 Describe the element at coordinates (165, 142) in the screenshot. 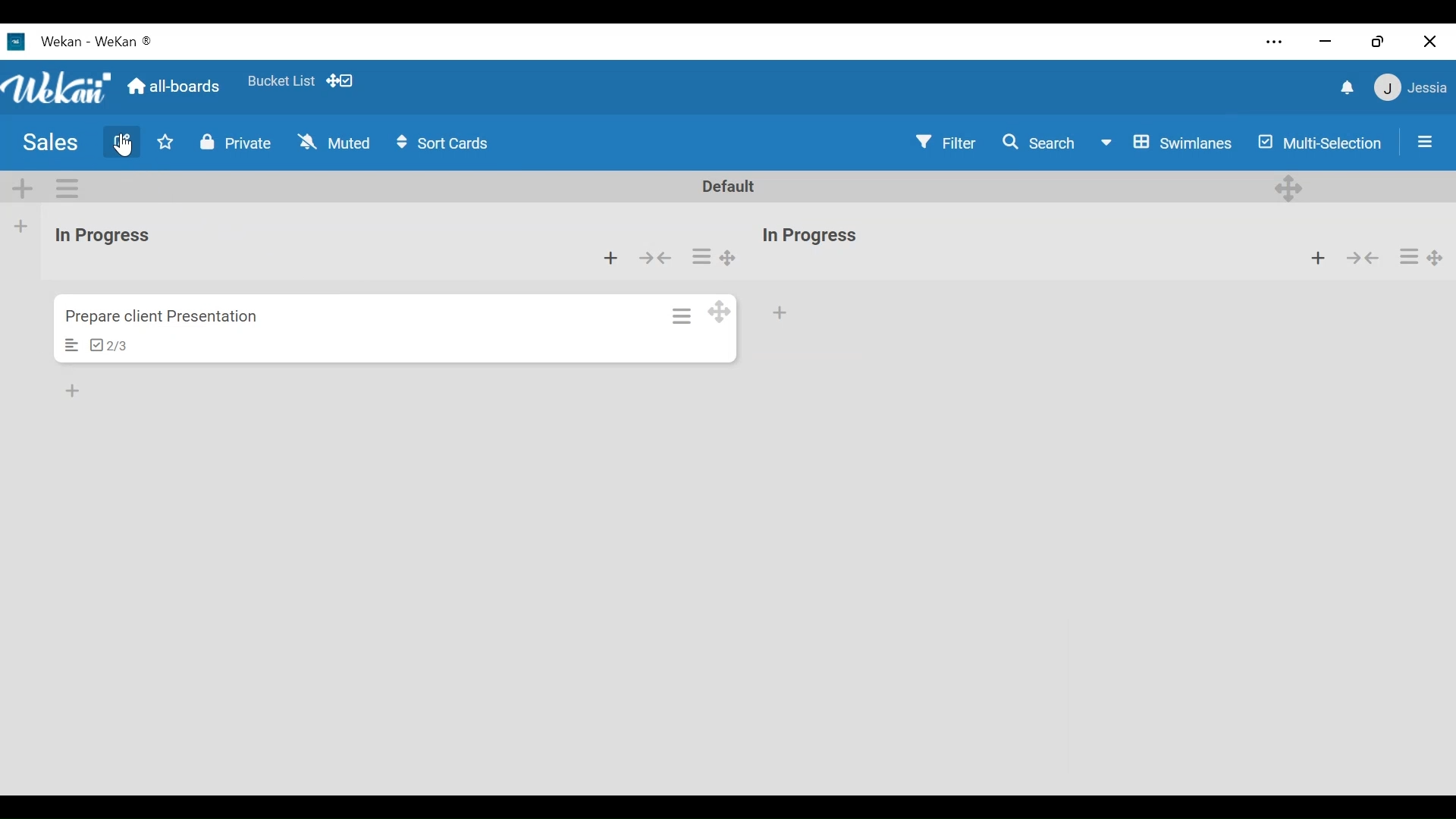

I see `Toggle Favorites` at that location.